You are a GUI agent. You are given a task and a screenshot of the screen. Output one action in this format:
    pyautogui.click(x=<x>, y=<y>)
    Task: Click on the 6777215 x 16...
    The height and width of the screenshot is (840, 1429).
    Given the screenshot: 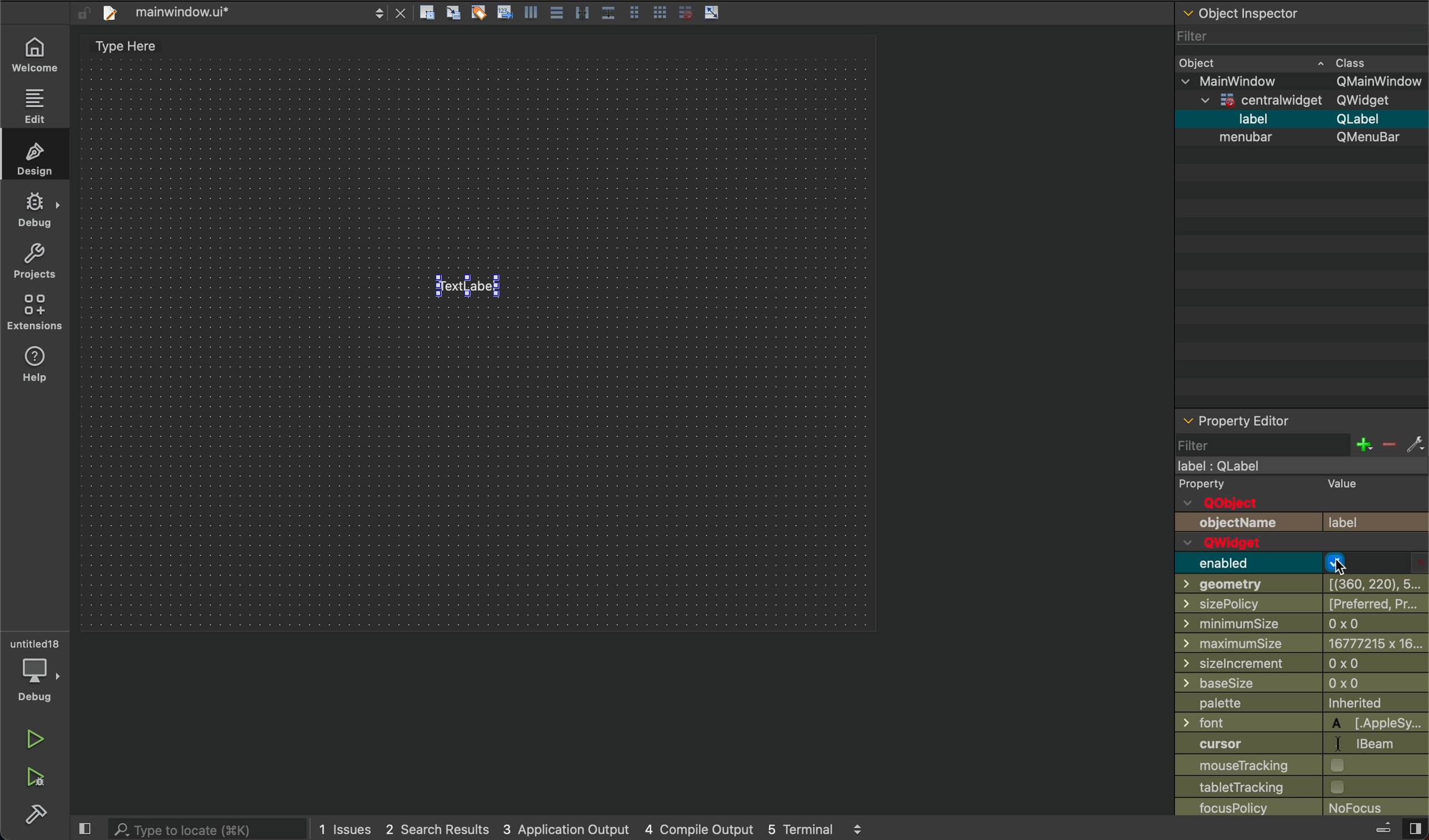 What is the action you would take?
    pyautogui.click(x=1373, y=643)
    